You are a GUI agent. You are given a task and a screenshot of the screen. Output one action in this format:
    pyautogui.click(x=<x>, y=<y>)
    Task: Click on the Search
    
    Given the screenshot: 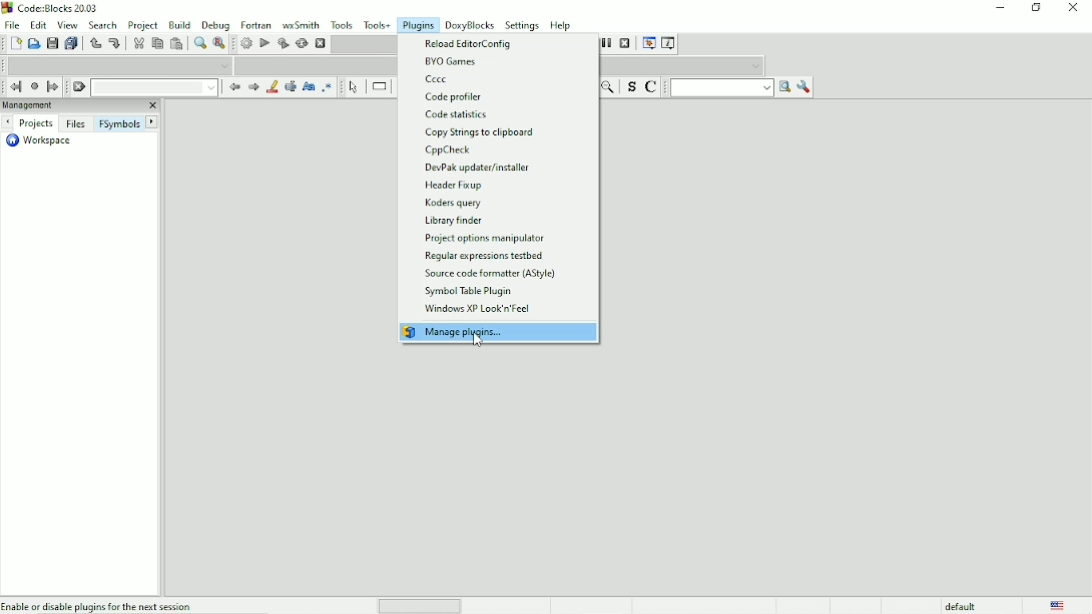 What is the action you would take?
    pyautogui.click(x=103, y=24)
    